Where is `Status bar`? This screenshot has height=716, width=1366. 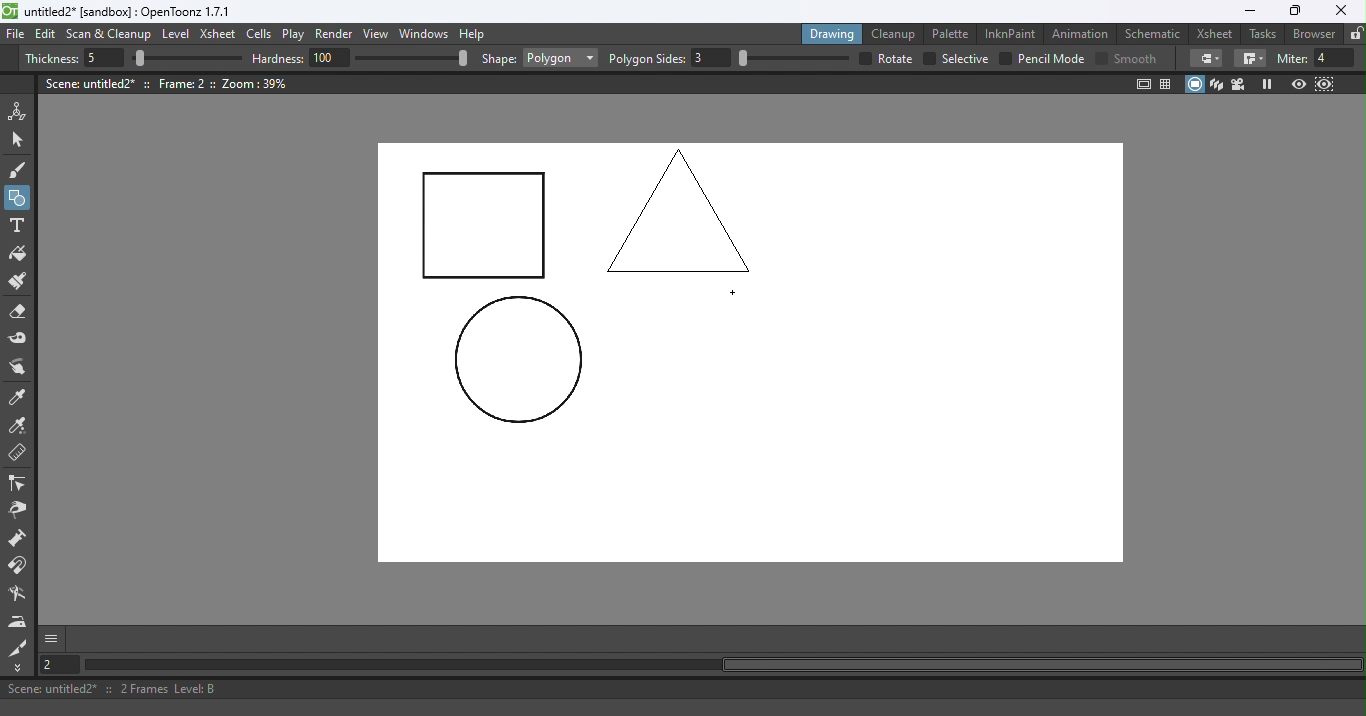 Status bar is located at coordinates (683, 689).